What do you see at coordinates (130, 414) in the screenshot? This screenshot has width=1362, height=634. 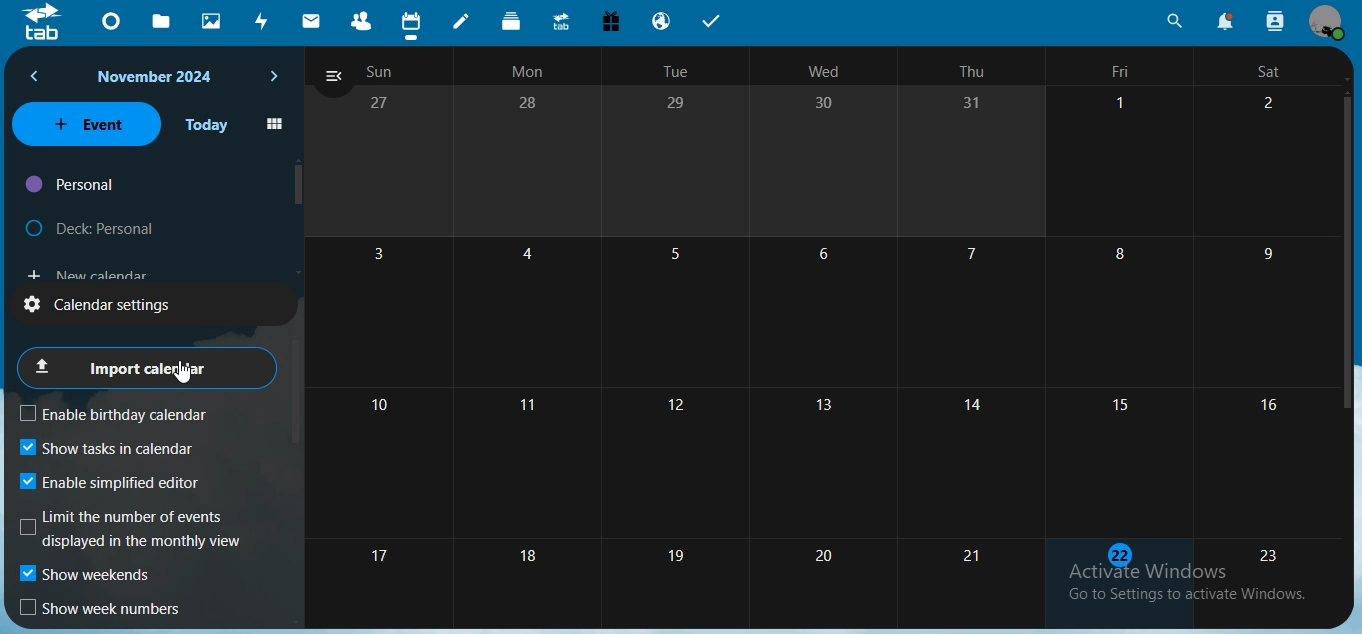 I see `enable birthday calendar` at bounding box center [130, 414].